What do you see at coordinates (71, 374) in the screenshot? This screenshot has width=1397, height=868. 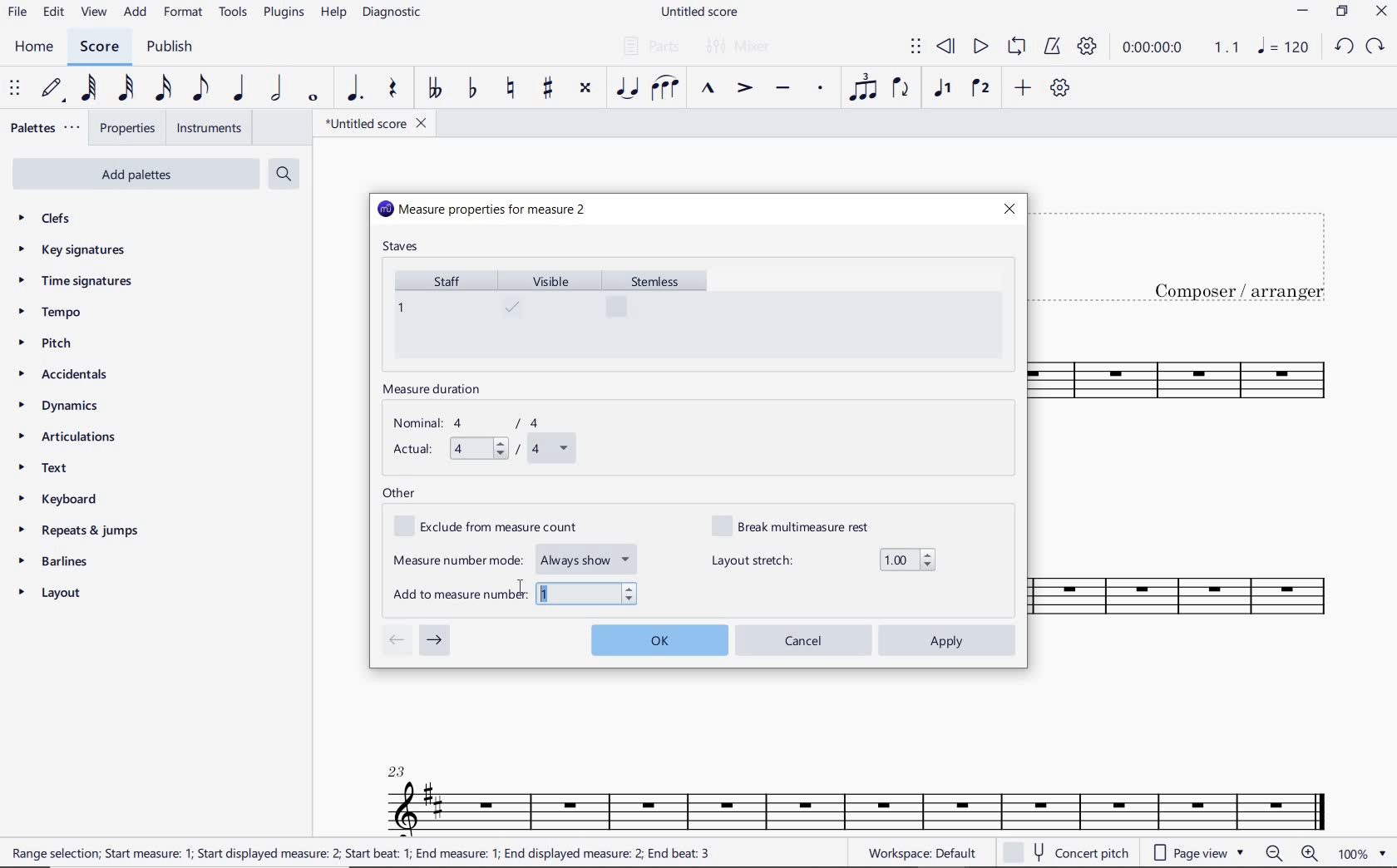 I see `ACCIDENTALS` at bounding box center [71, 374].